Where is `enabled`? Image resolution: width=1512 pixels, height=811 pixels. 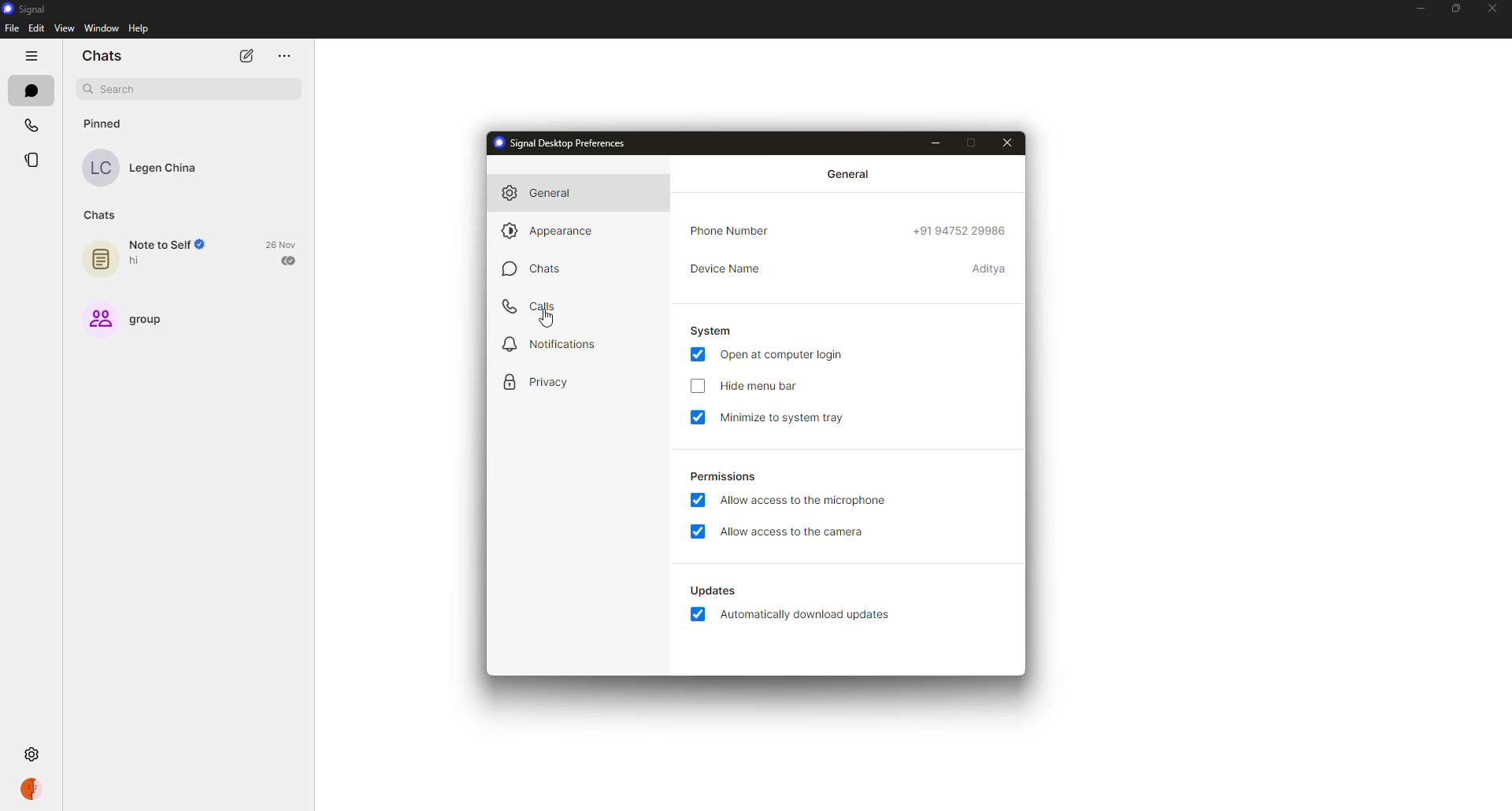
enabled is located at coordinates (699, 417).